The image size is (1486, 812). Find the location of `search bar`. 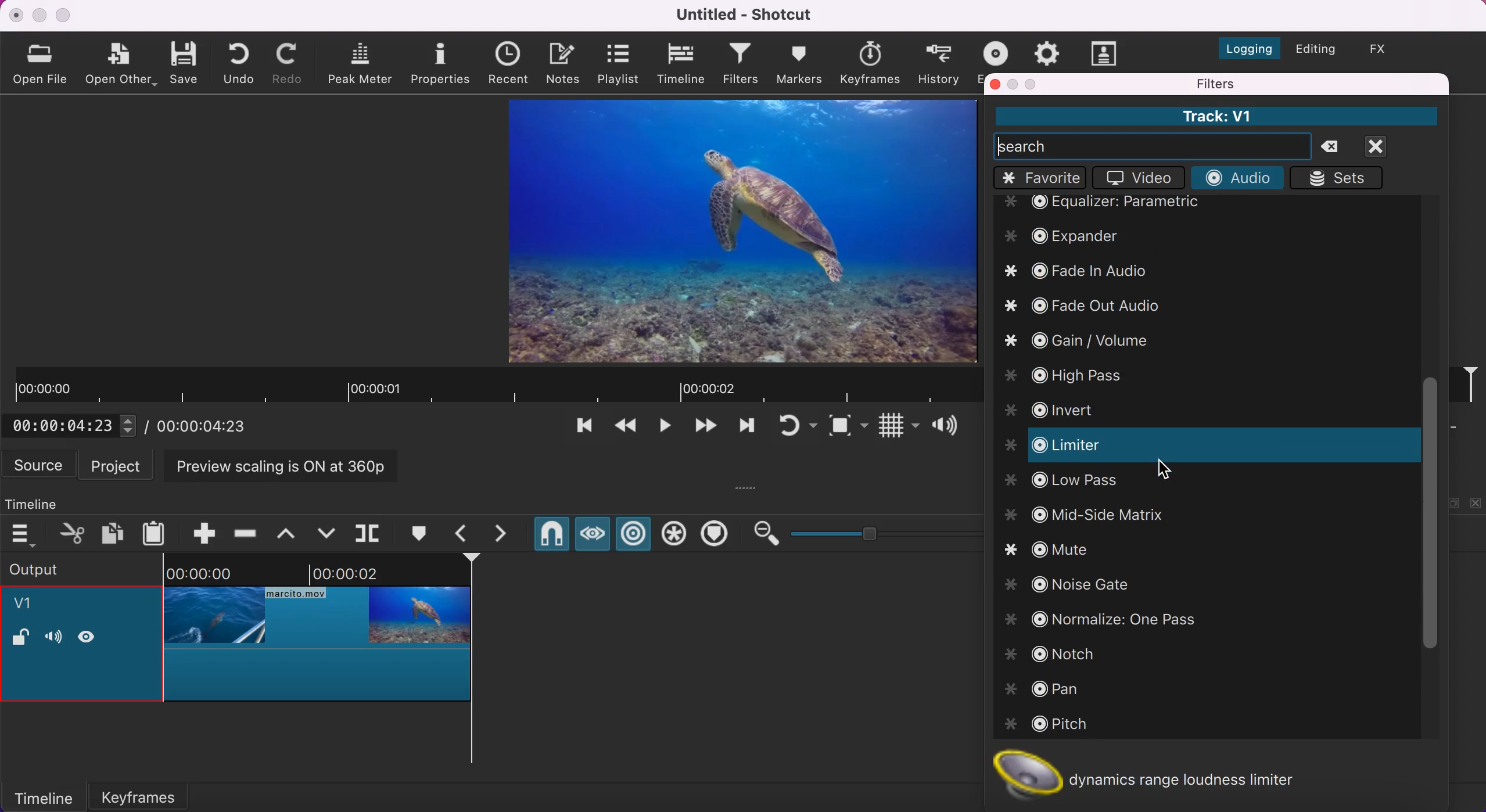

search bar is located at coordinates (1153, 146).